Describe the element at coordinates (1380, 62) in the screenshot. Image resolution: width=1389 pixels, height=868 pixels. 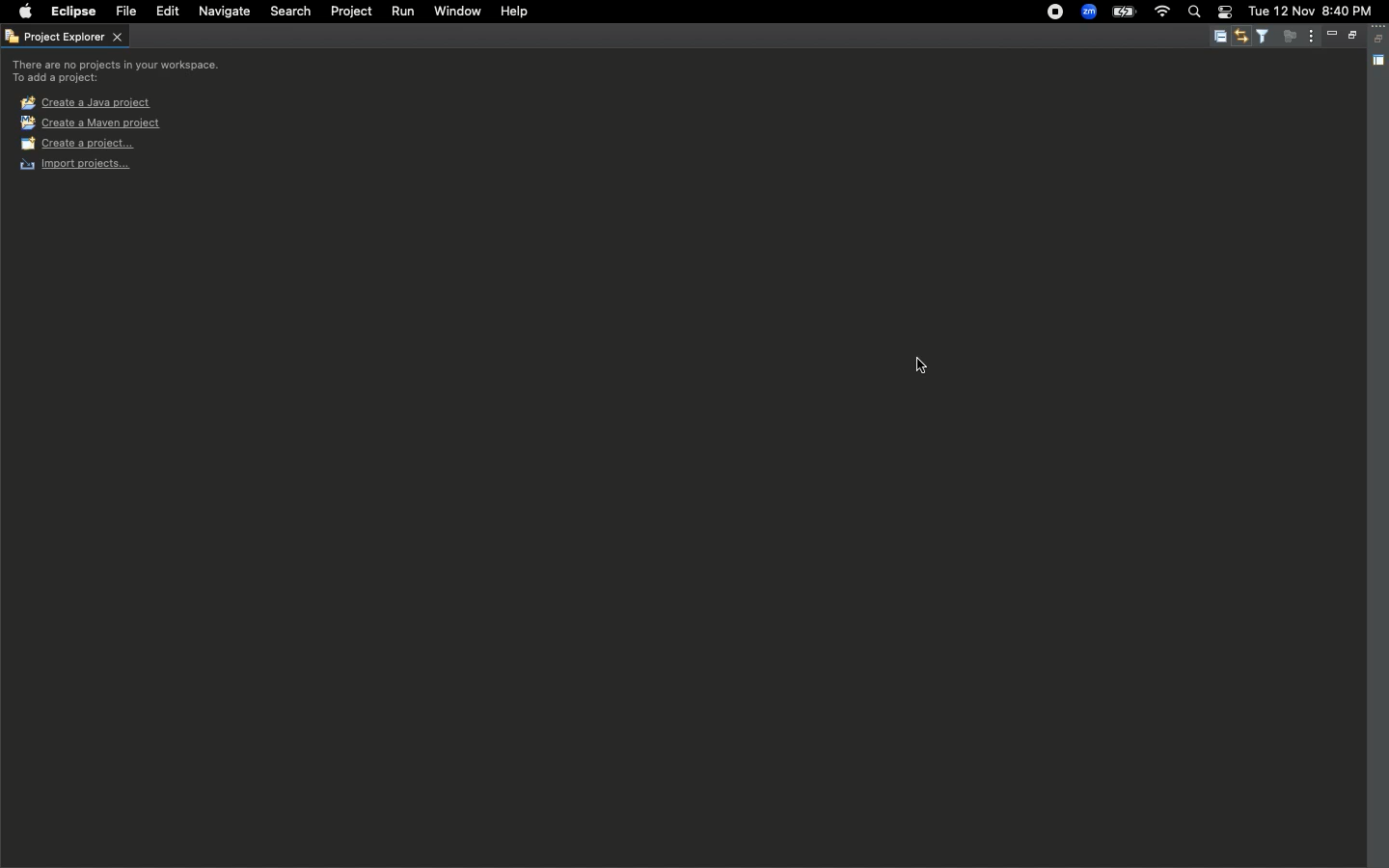
I see `Shared area` at that location.